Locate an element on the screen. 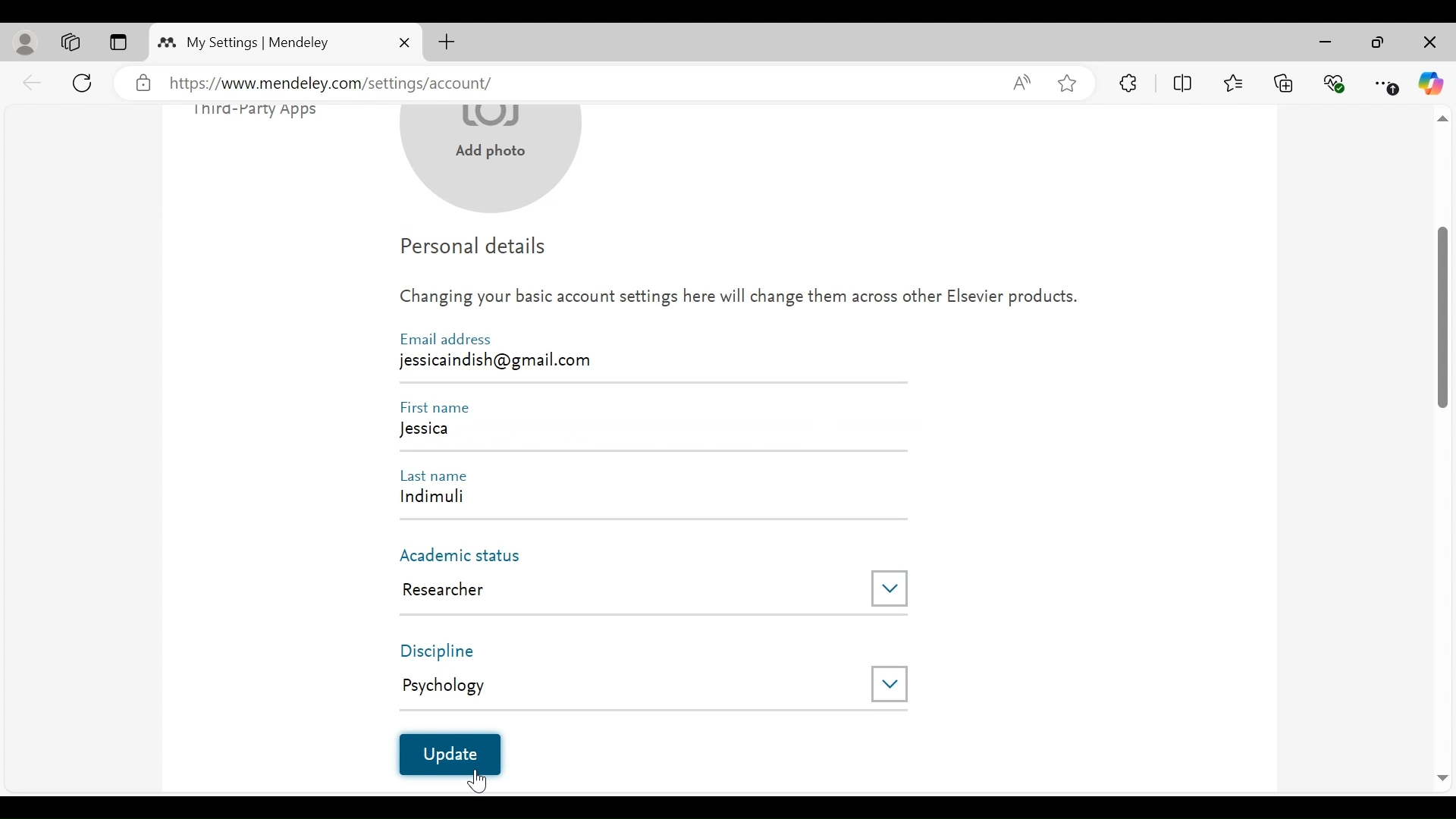 The height and width of the screenshot is (819, 1456). Browser Essentials is located at coordinates (1335, 82).